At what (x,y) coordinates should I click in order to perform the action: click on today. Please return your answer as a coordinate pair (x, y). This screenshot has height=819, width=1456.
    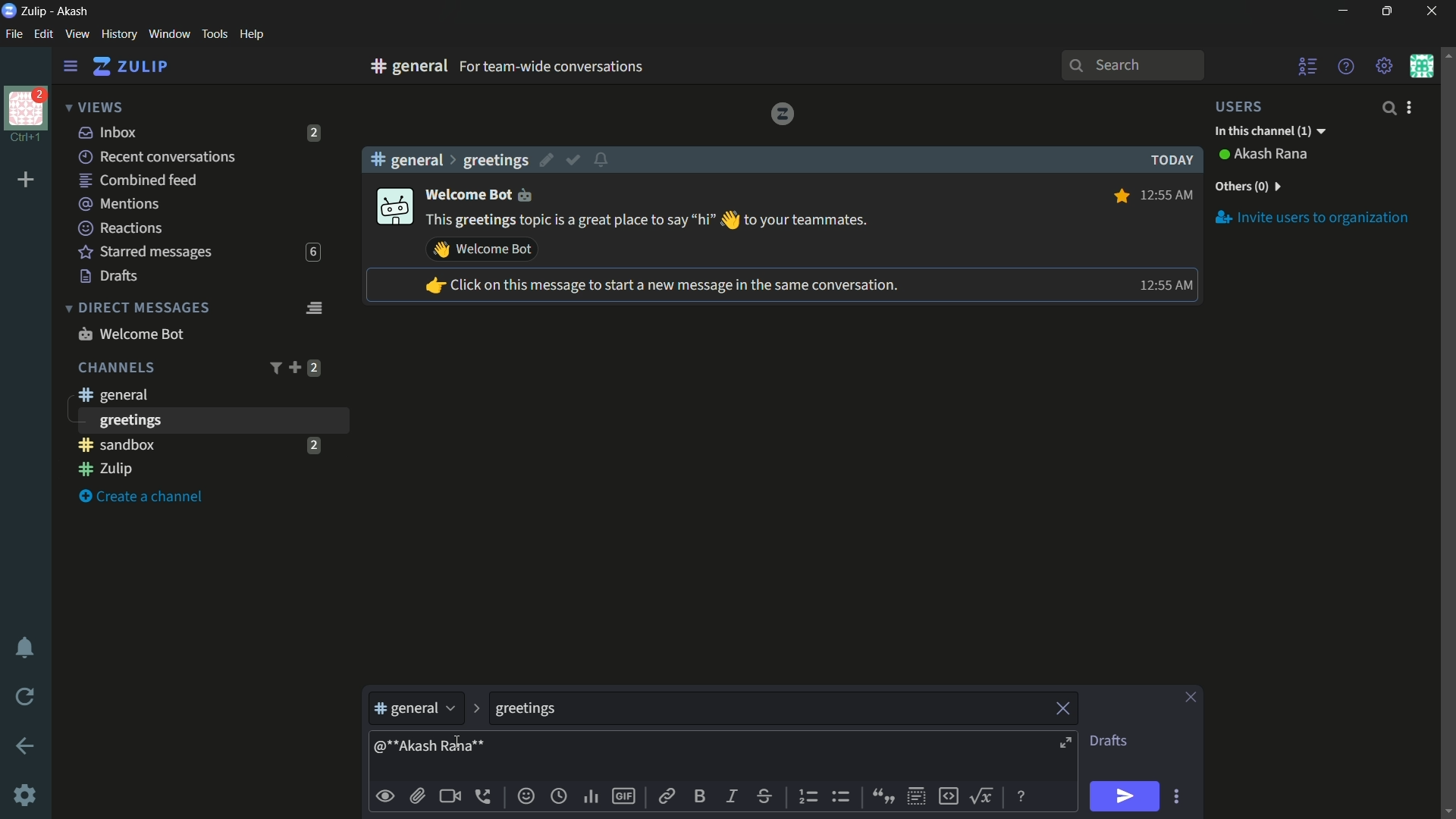
    Looking at the image, I should click on (1168, 160).